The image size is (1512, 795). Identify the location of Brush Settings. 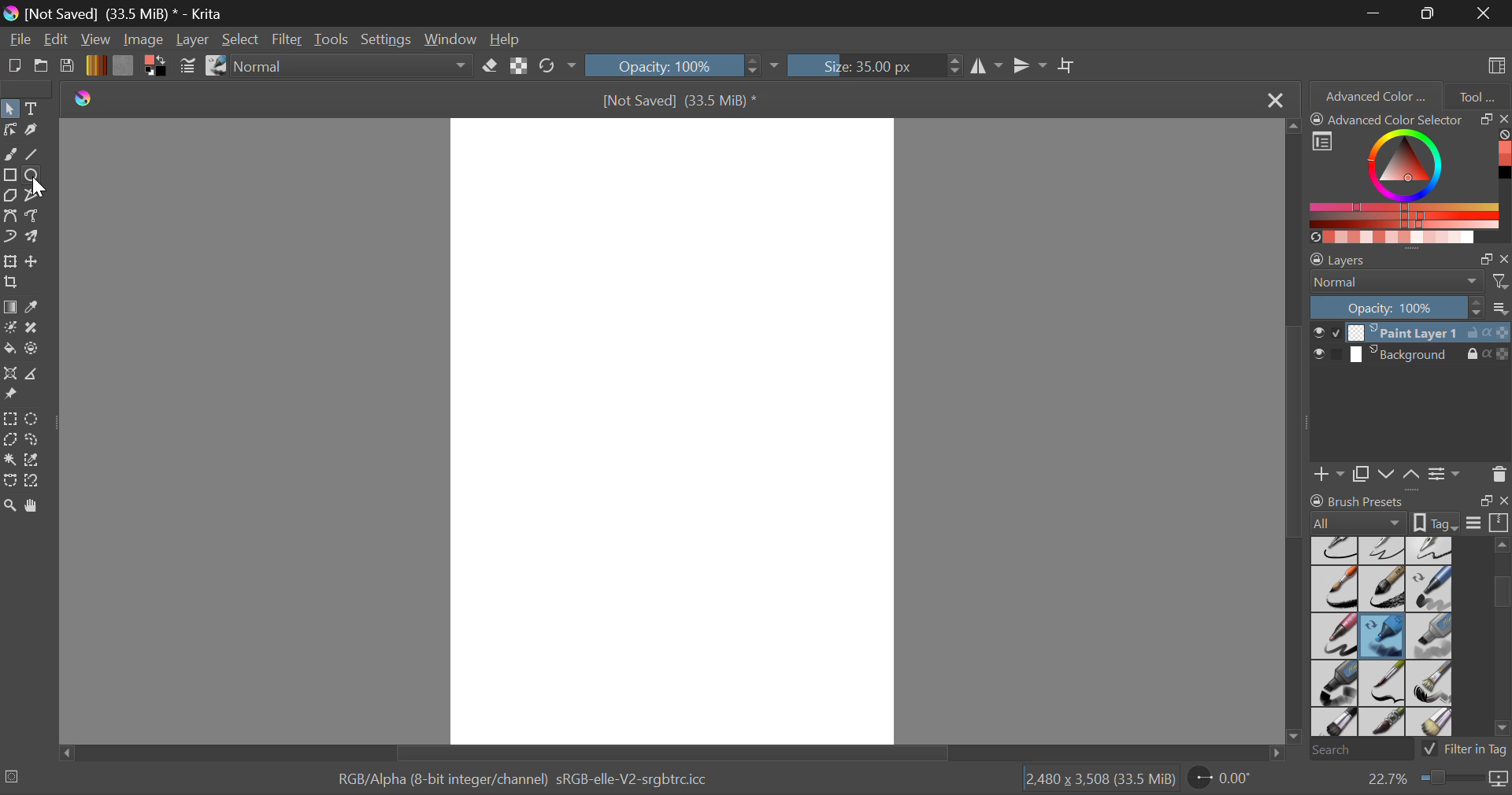
(187, 67).